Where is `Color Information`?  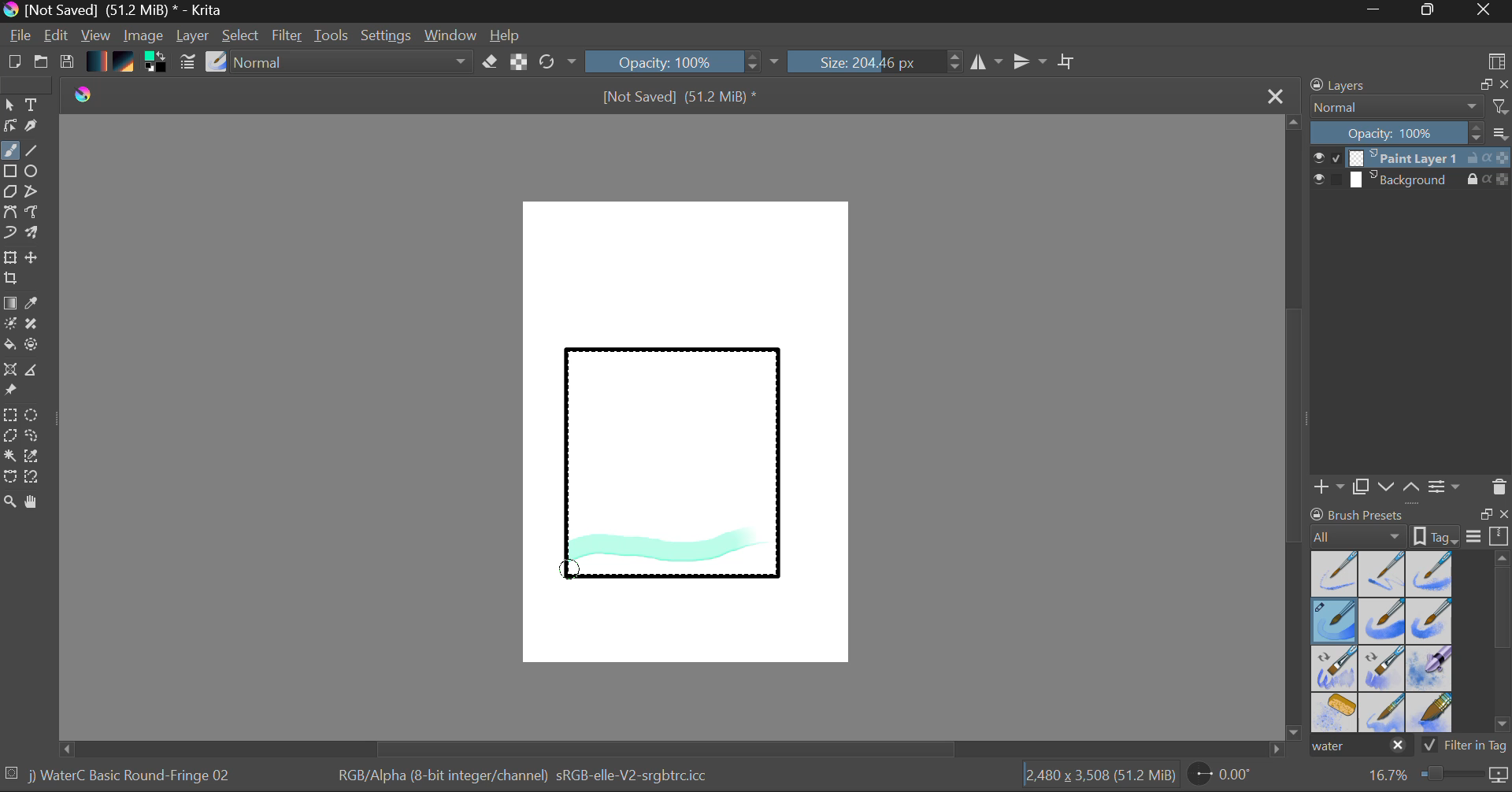
Color Information is located at coordinates (521, 777).